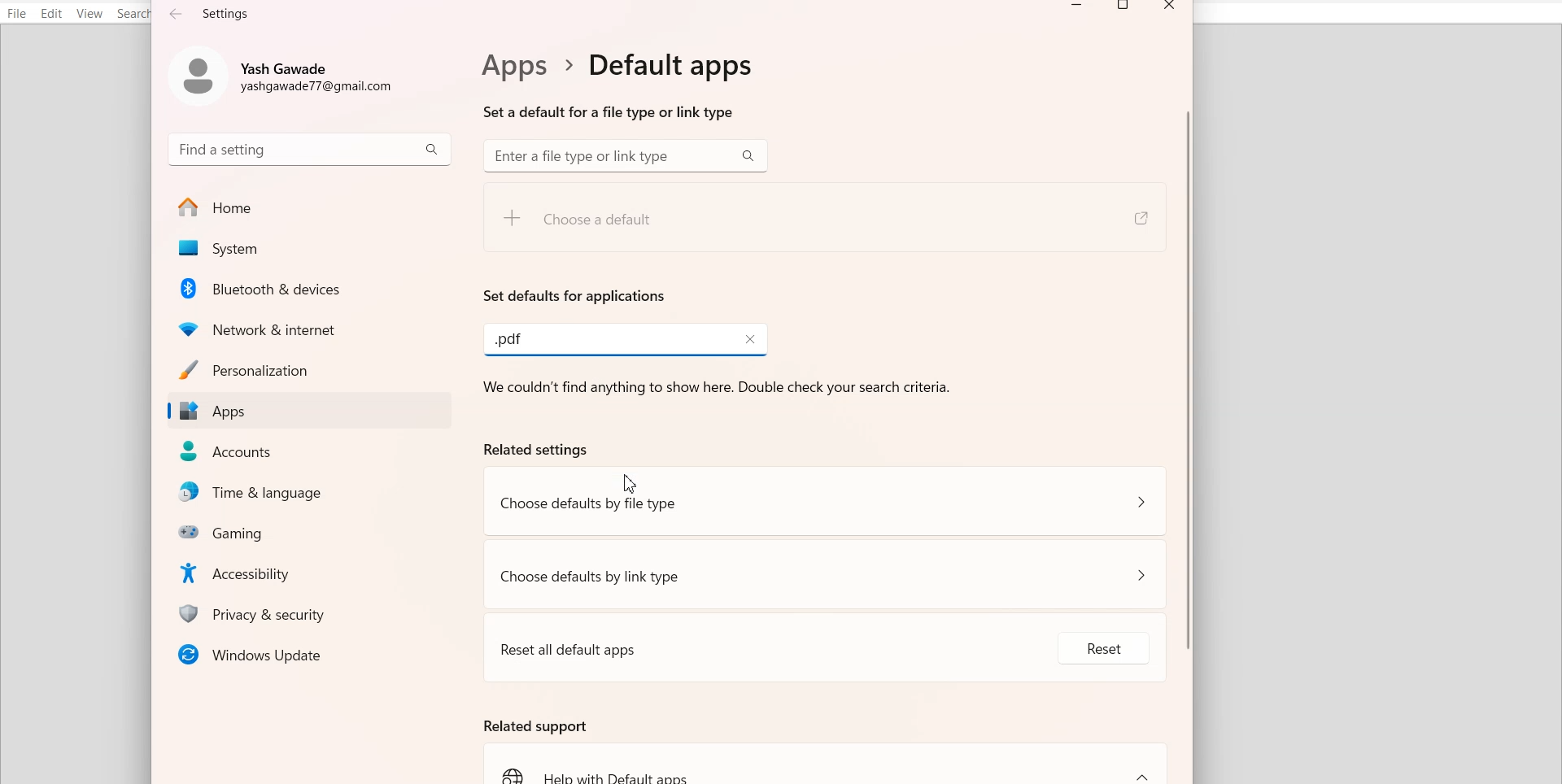  I want to click on Search, so click(135, 14).